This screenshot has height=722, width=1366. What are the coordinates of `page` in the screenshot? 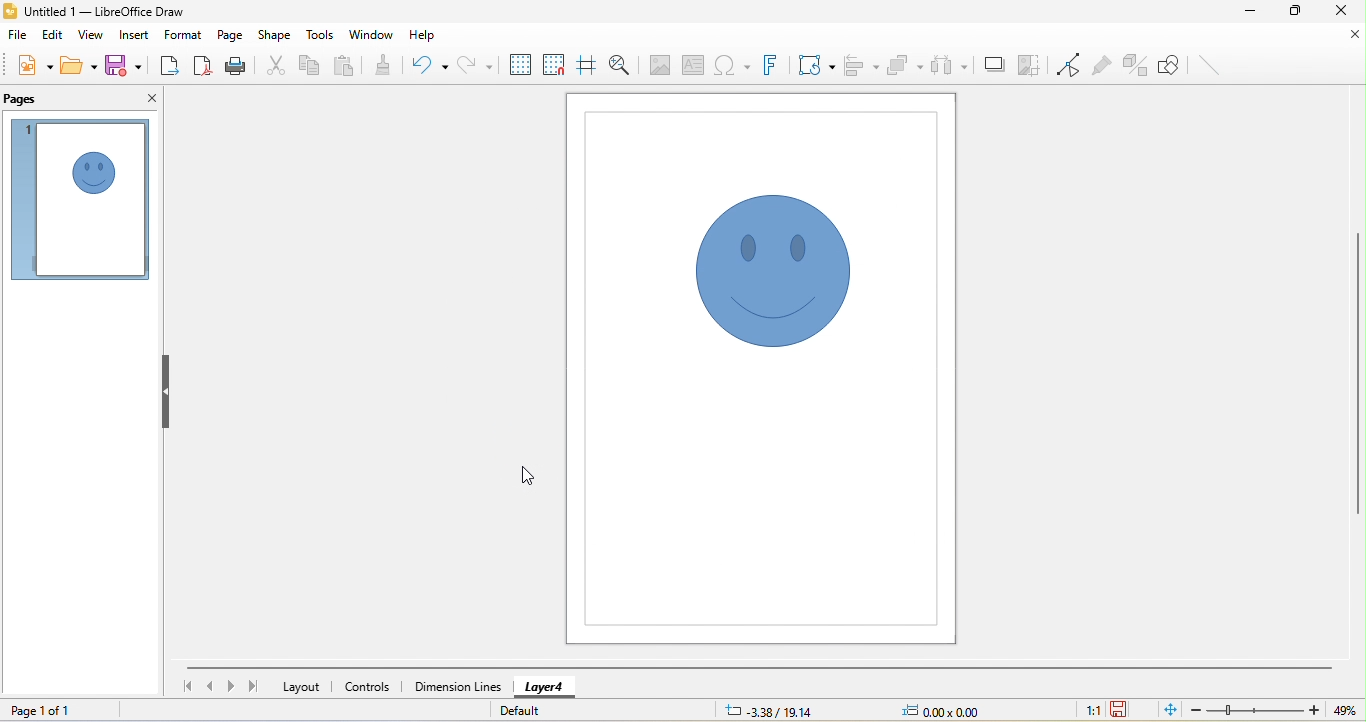 It's located at (229, 36).